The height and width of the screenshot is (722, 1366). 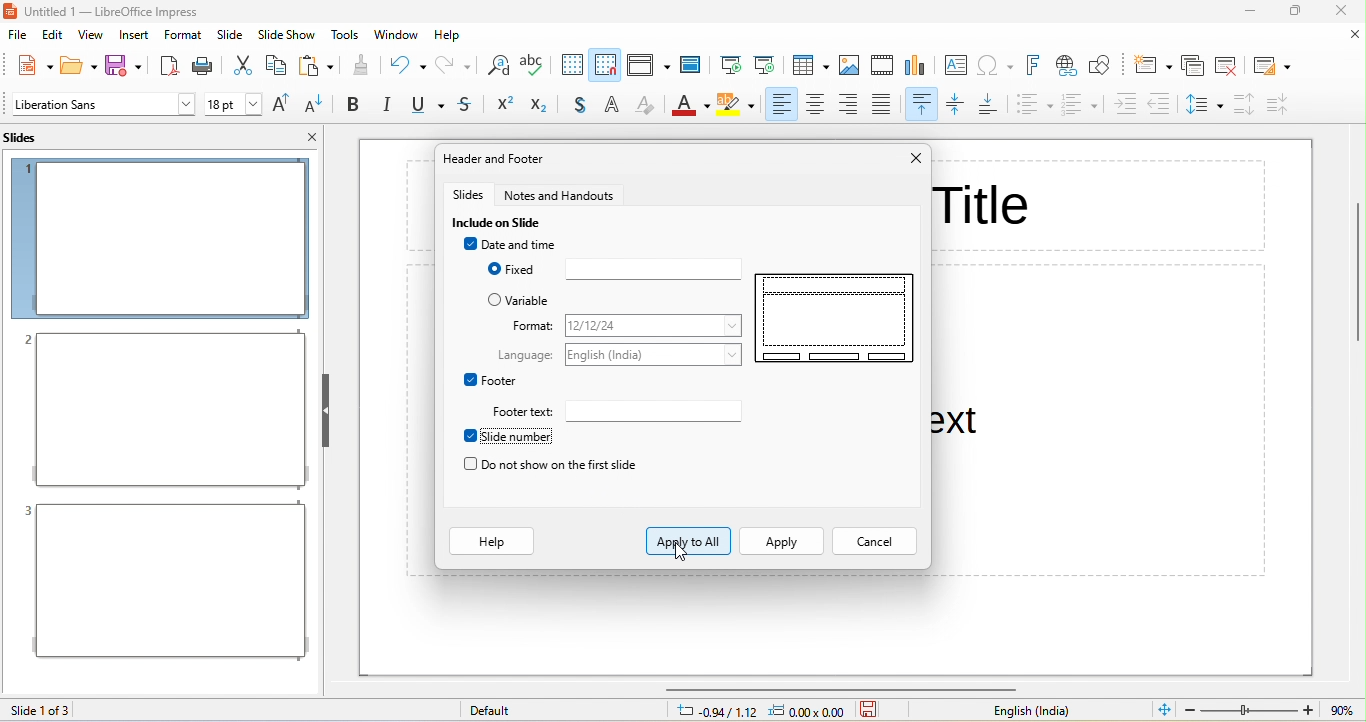 I want to click on redo, so click(x=455, y=65).